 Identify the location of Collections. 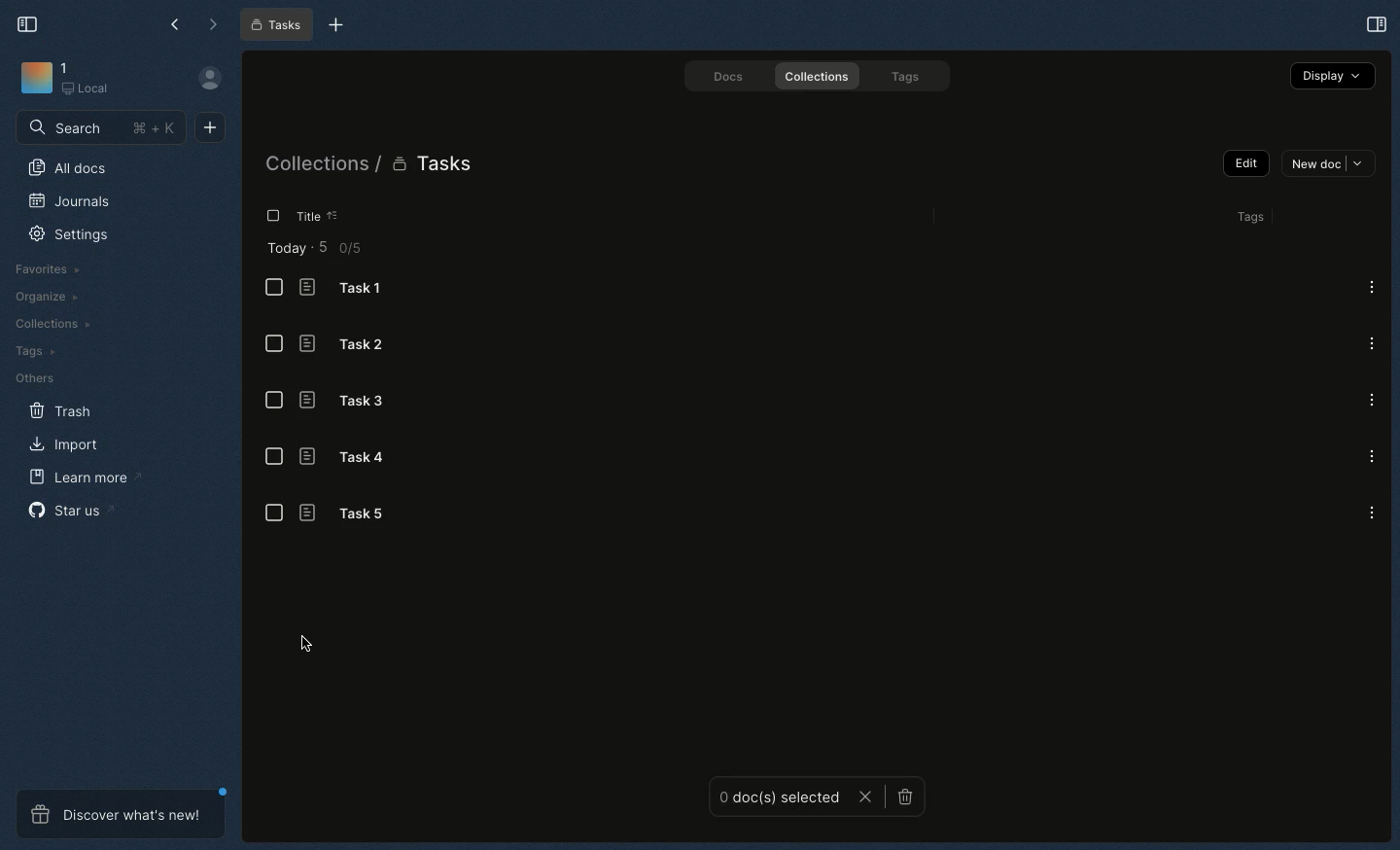
(55, 325).